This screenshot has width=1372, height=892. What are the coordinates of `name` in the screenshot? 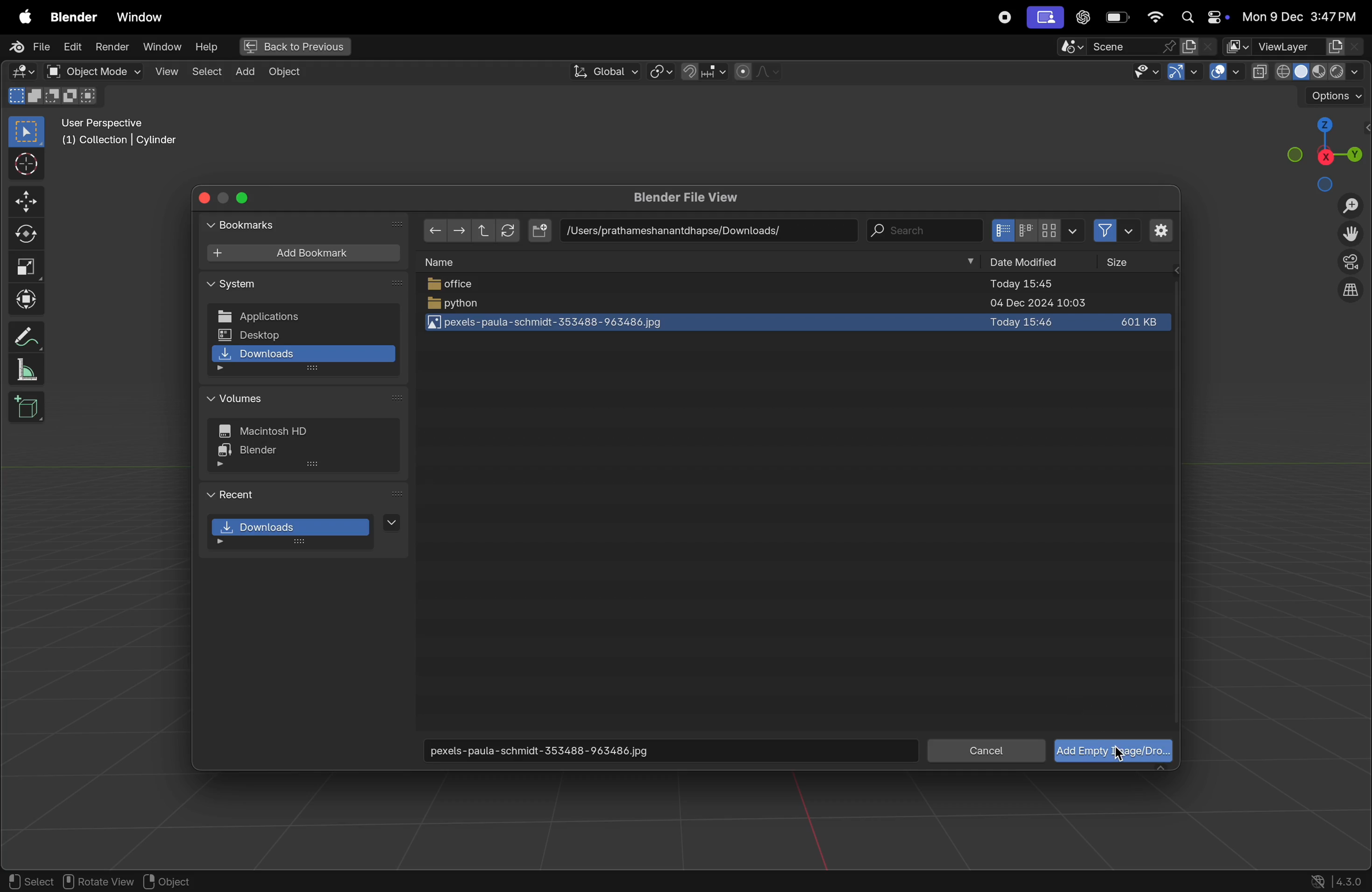 It's located at (447, 262).